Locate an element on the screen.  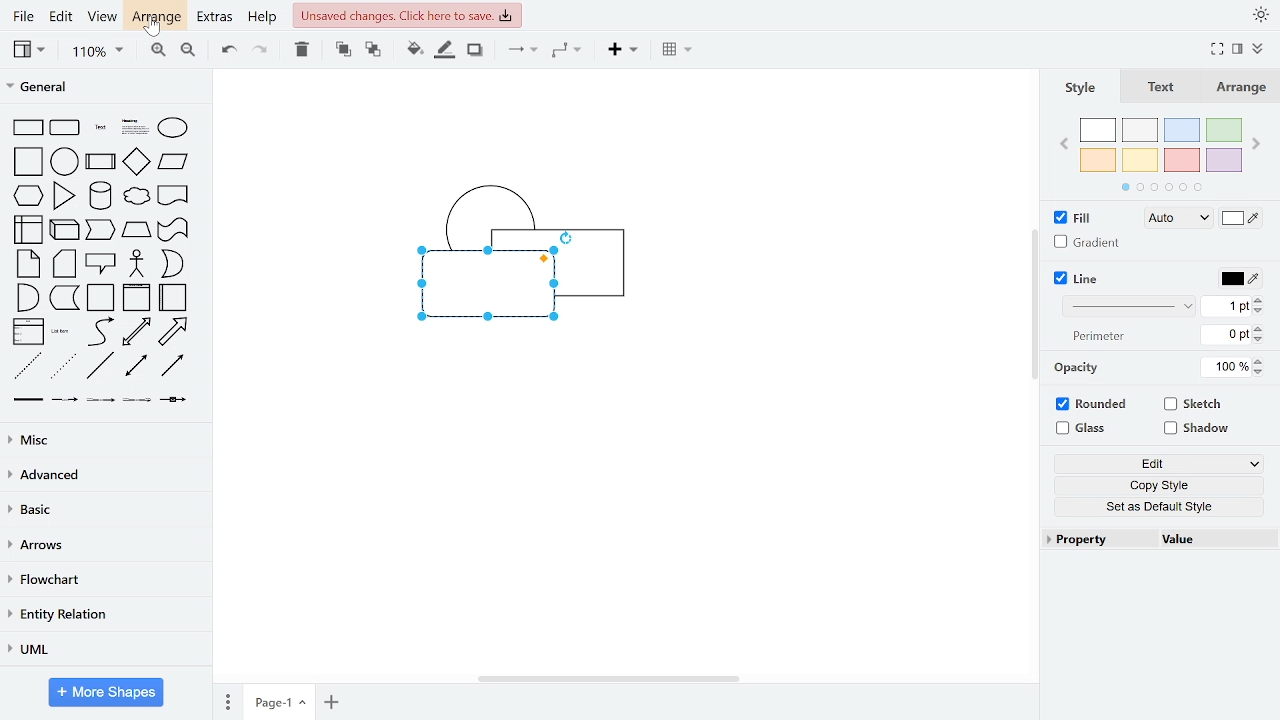
More shapes is located at coordinates (106, 691).